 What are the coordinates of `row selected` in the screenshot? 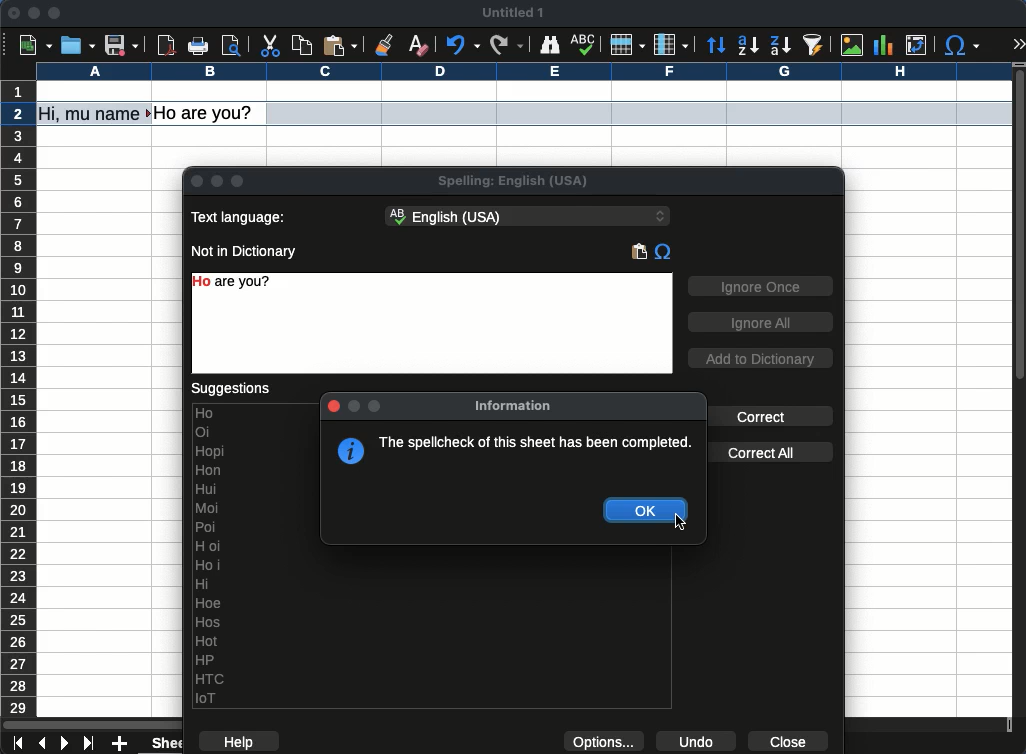 It's located at (639, 113).